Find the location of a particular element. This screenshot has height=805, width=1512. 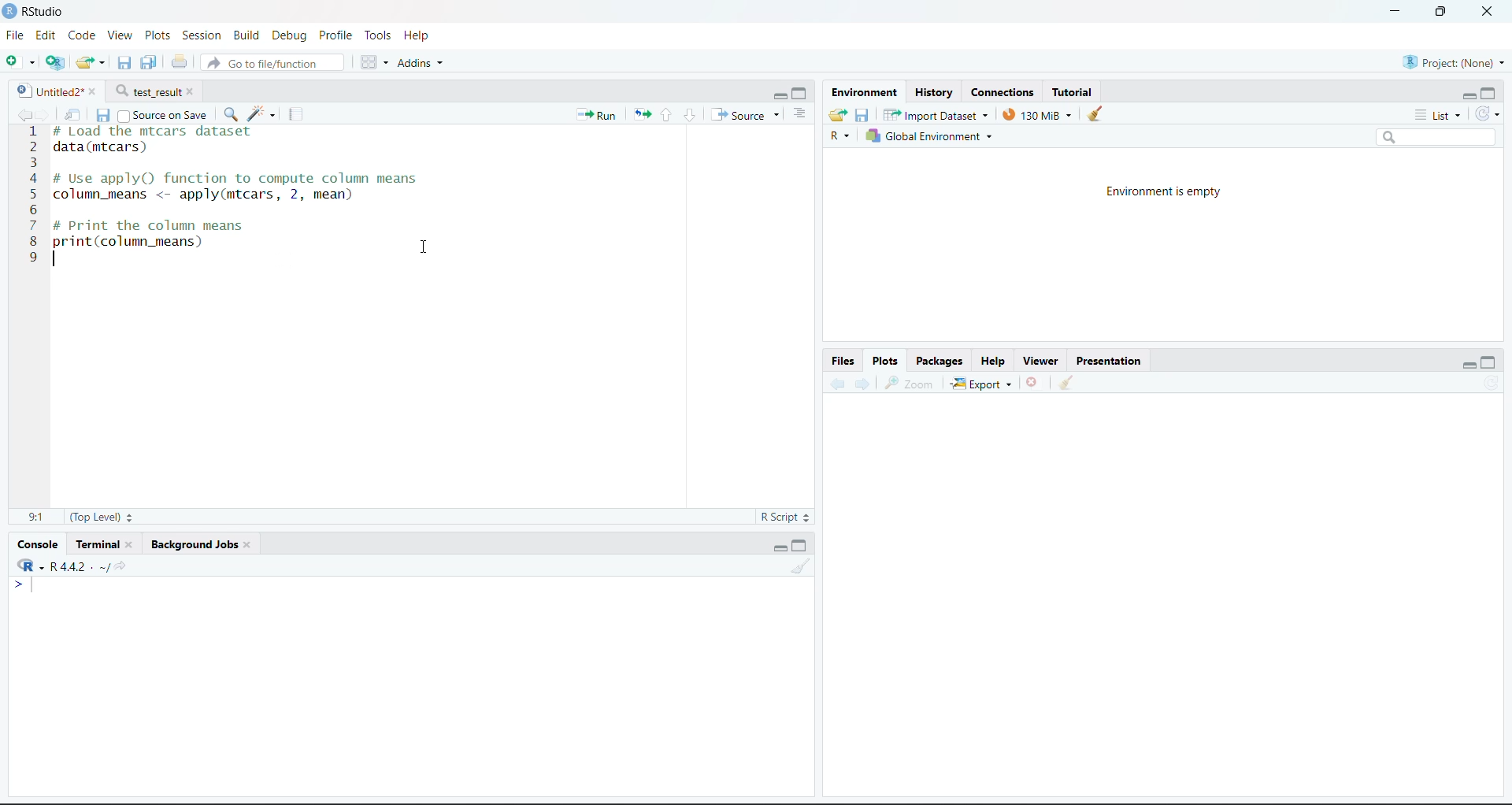

View is located at coordinates (117, 34).